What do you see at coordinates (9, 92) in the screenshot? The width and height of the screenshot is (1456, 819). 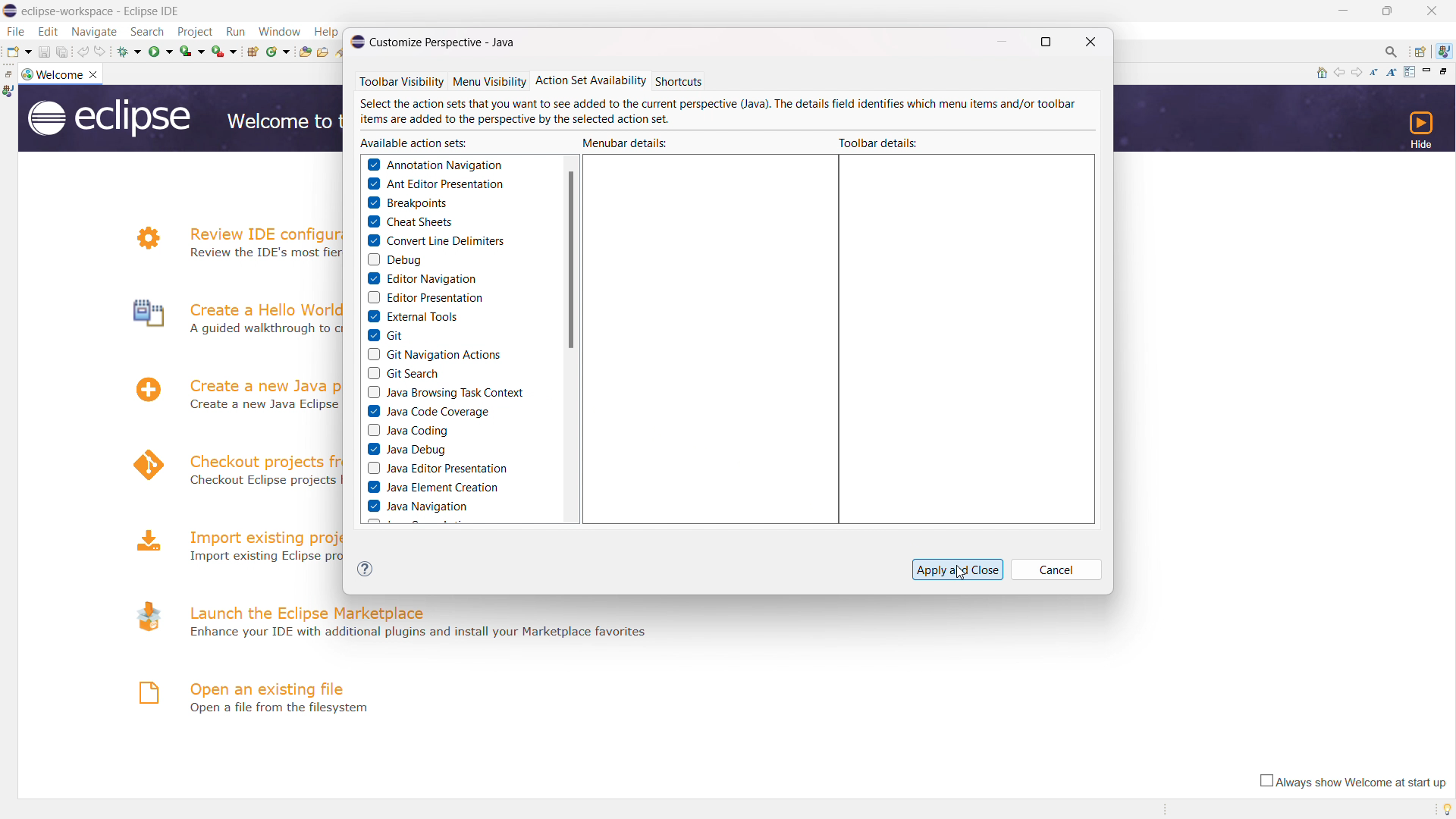 I see `java` at bounding box center [9, 92].